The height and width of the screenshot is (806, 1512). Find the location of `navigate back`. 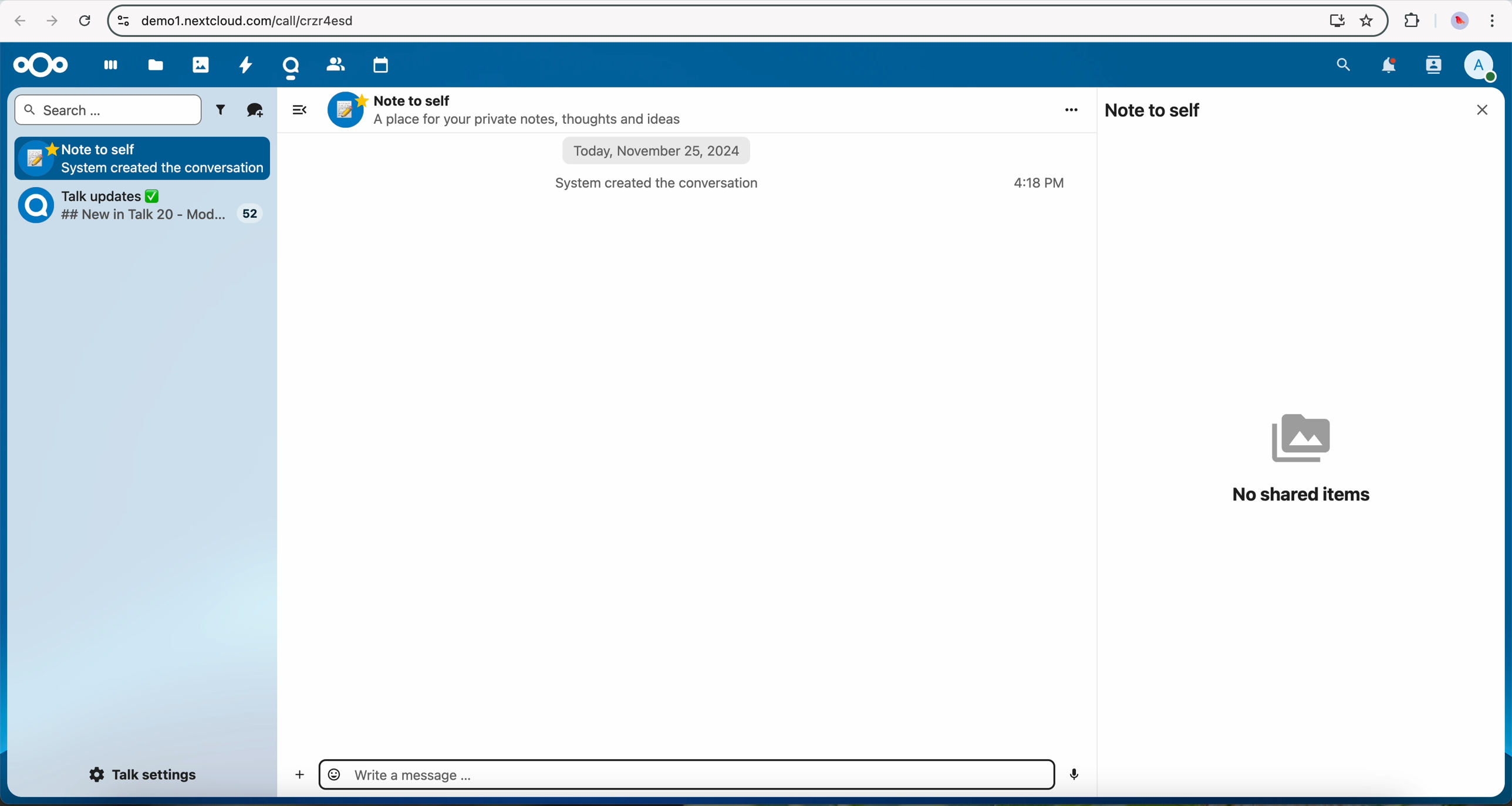

navigate back is located at coordinates (16, 21).